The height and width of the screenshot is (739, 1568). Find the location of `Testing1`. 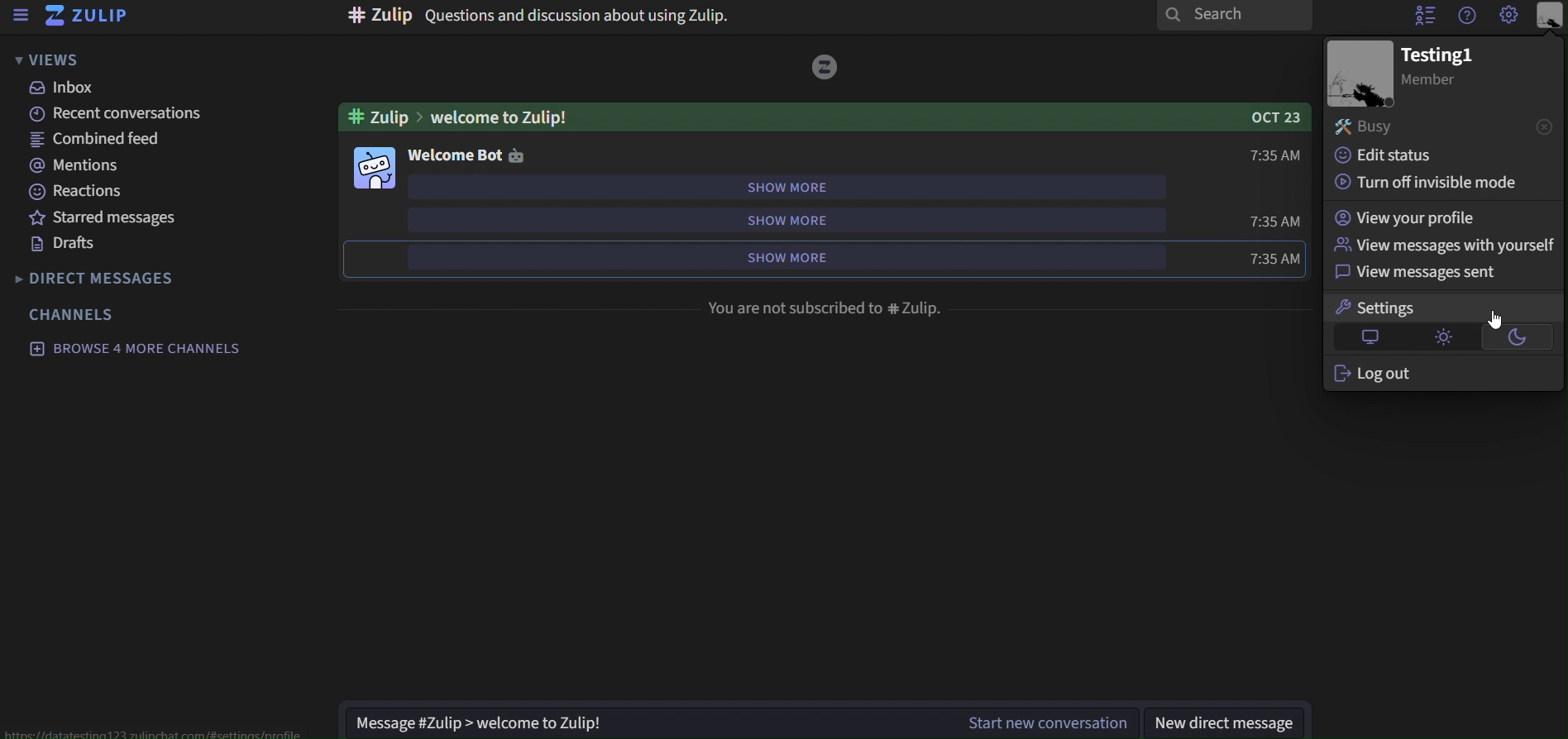

Testing1 is located at coordinates (1439, 55).